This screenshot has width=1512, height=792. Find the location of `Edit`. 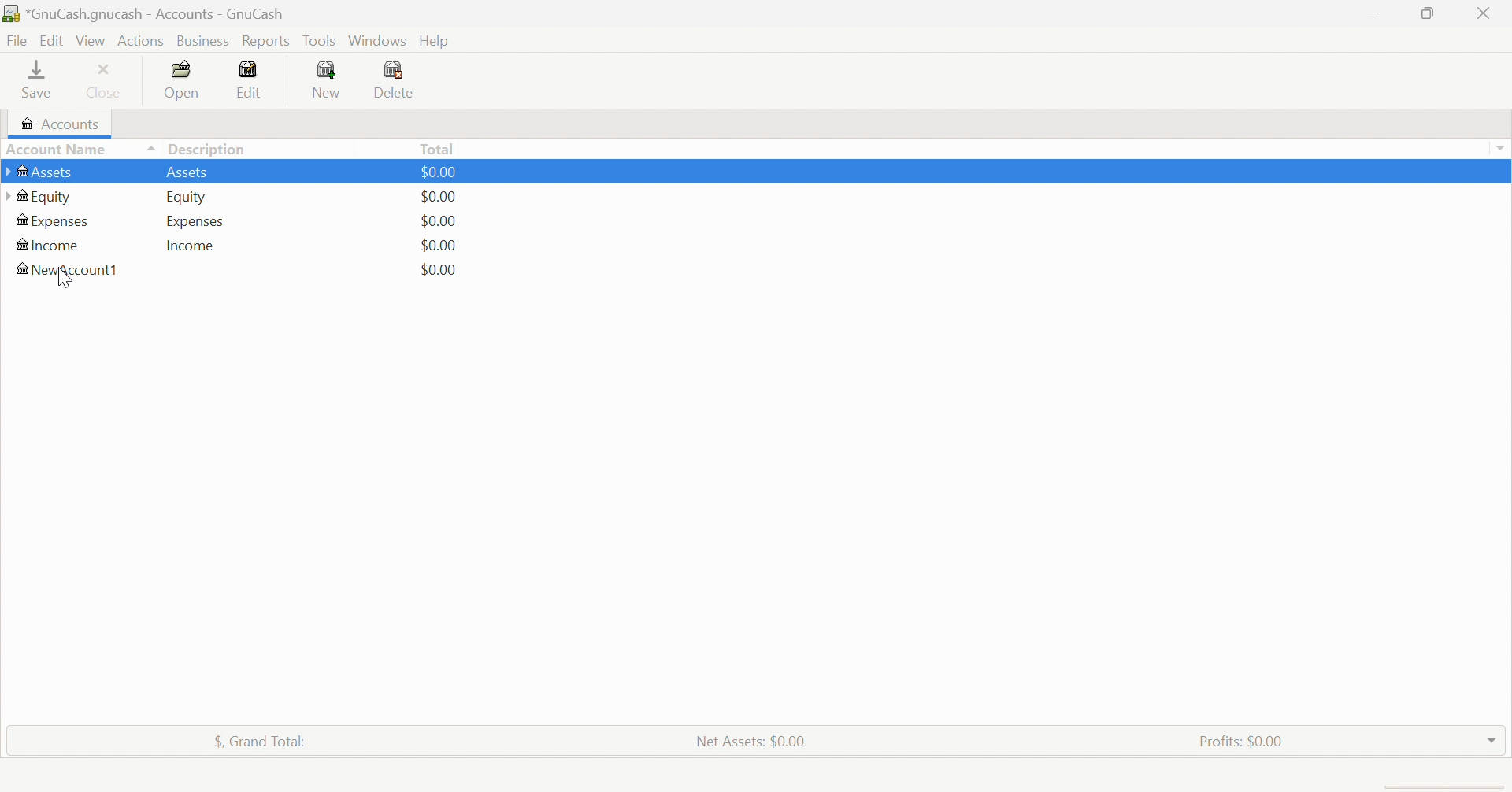

Edit is located at coordinates (51, 39).